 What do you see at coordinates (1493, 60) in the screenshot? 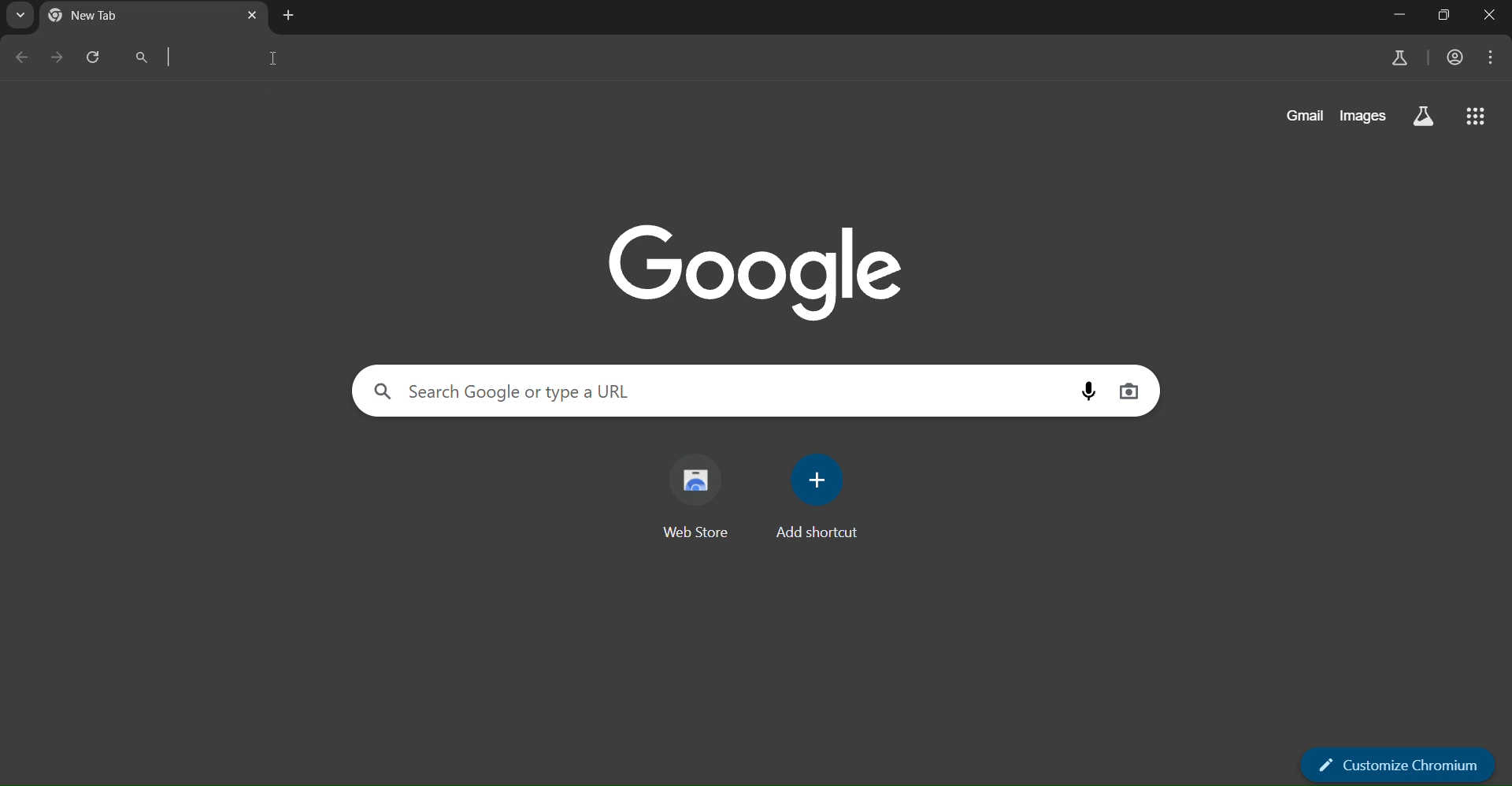
I see `menu` at bounding box center [1493, 60].